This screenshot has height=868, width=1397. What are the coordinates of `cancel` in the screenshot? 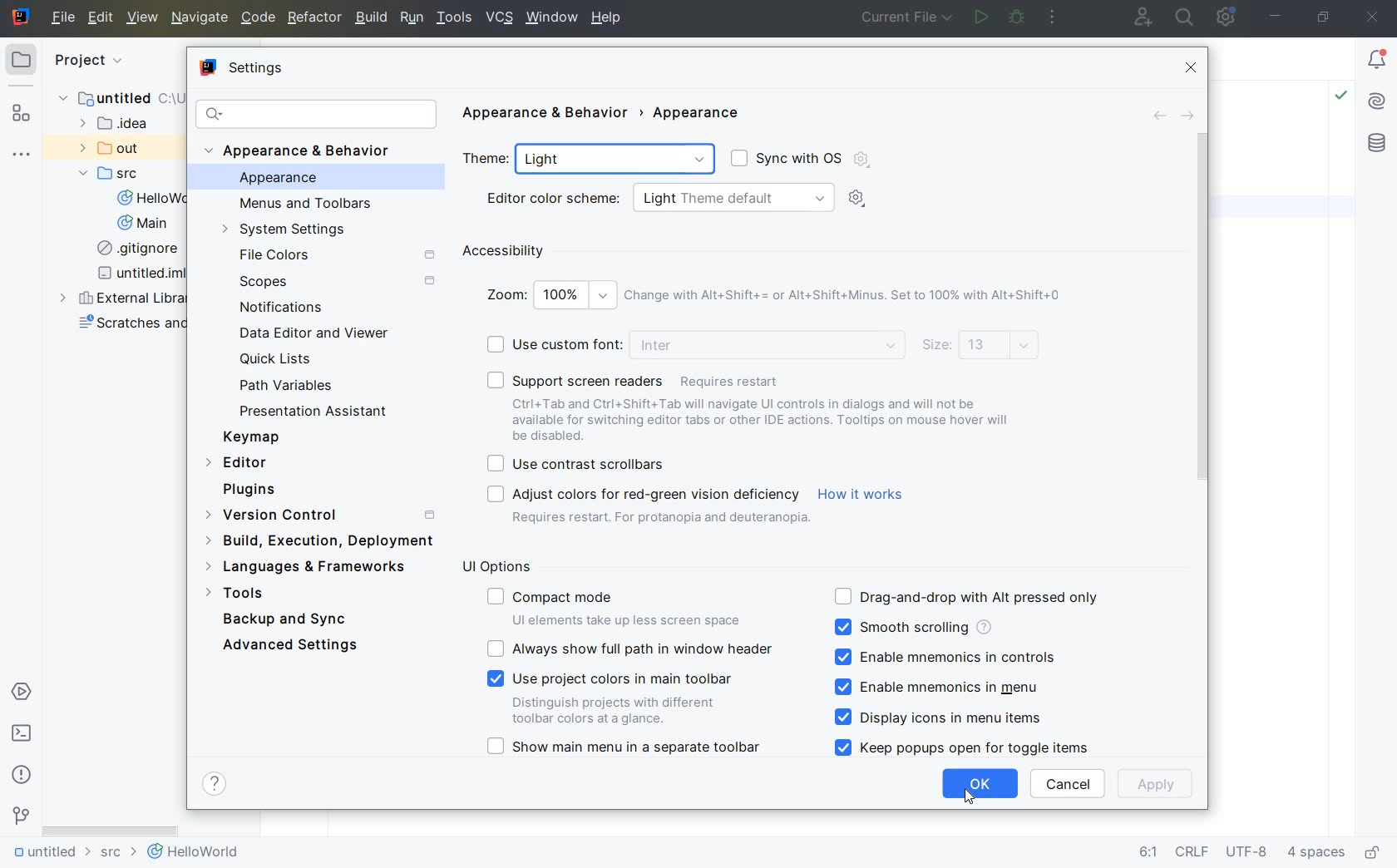 It's located at (1068, 784).